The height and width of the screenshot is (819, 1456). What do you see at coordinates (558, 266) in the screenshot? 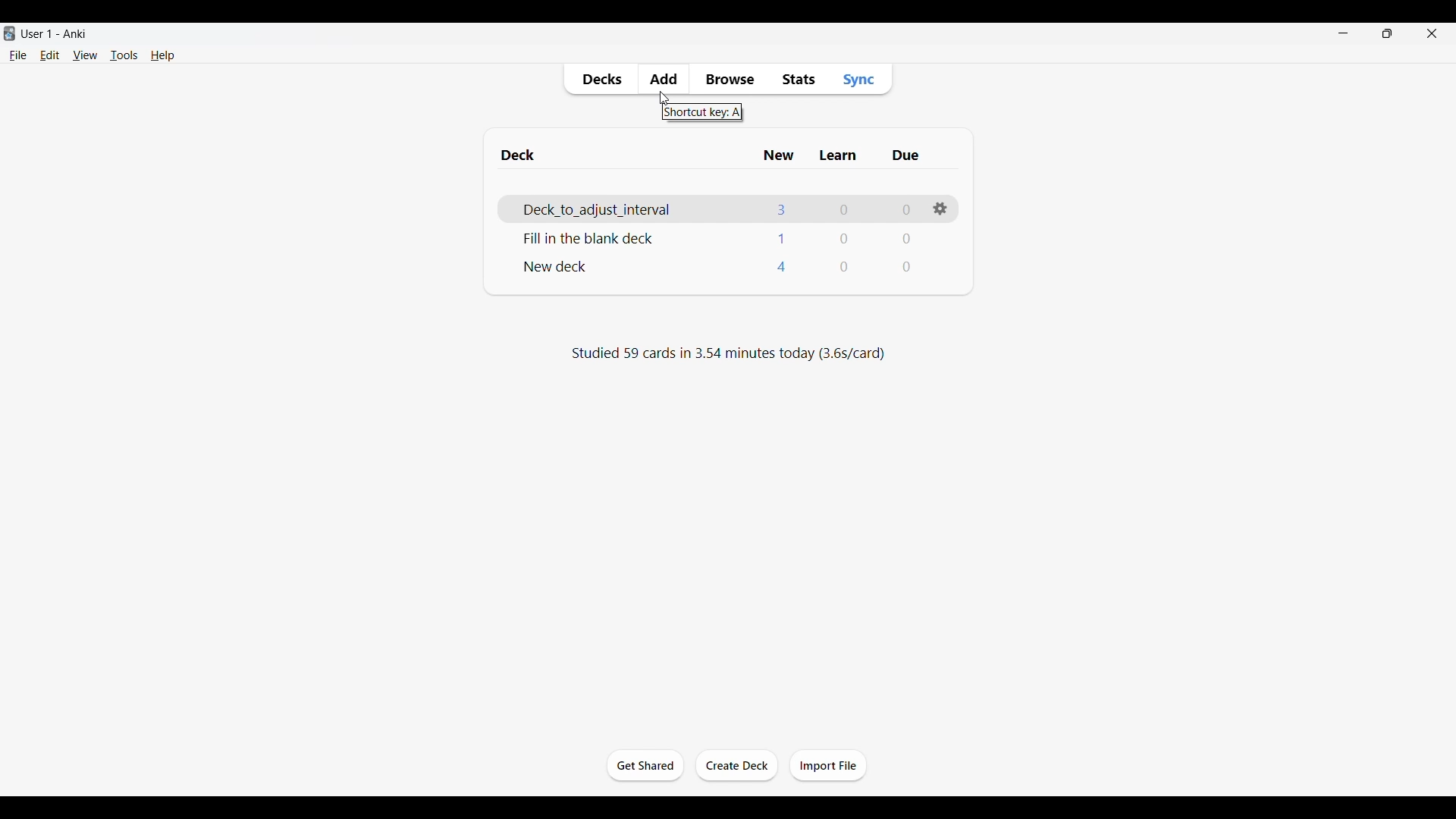
I see `Deck` at bounding box center [558, 266].